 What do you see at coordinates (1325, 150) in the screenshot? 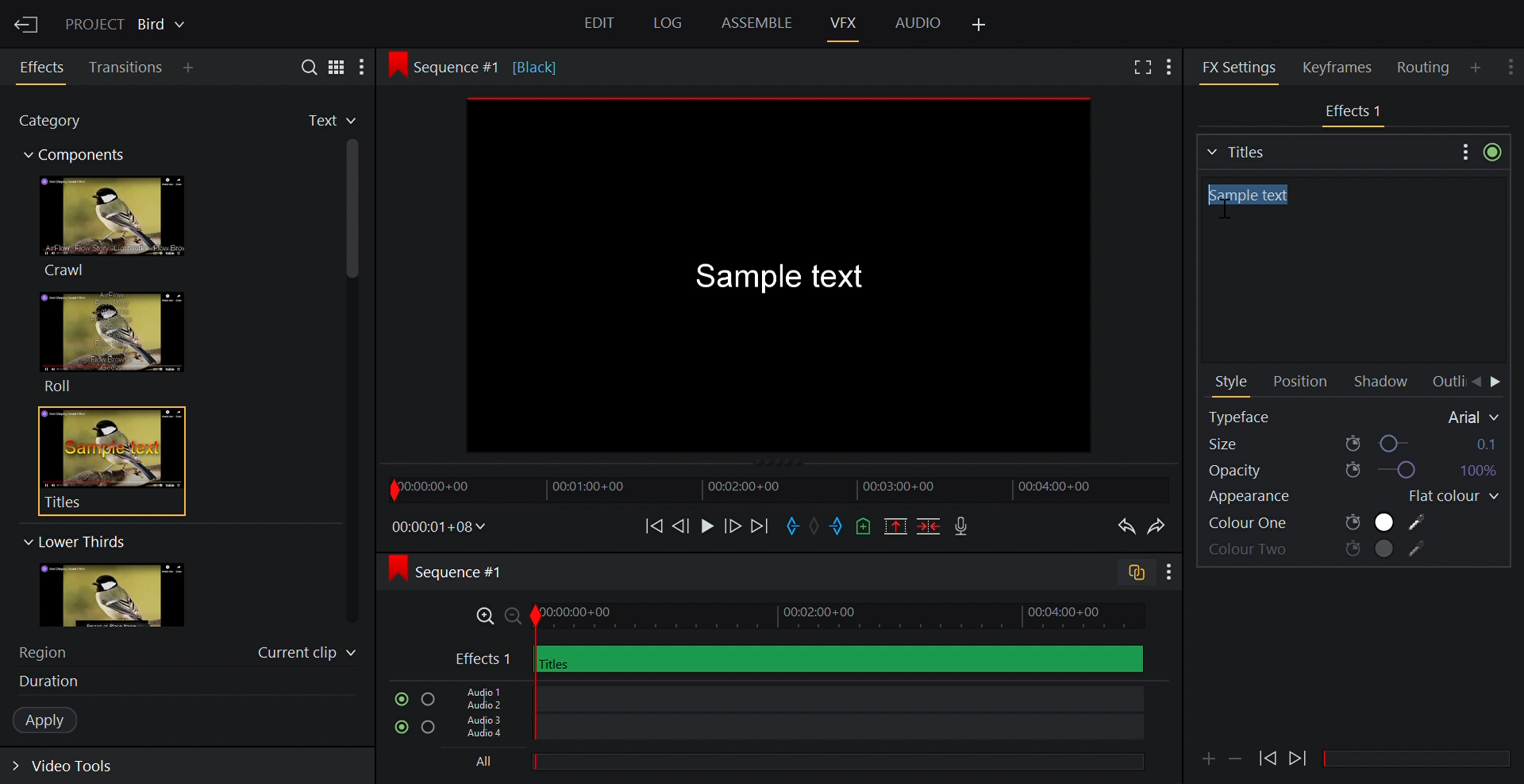
I see `Titles` at bounding box center [1325, 150].